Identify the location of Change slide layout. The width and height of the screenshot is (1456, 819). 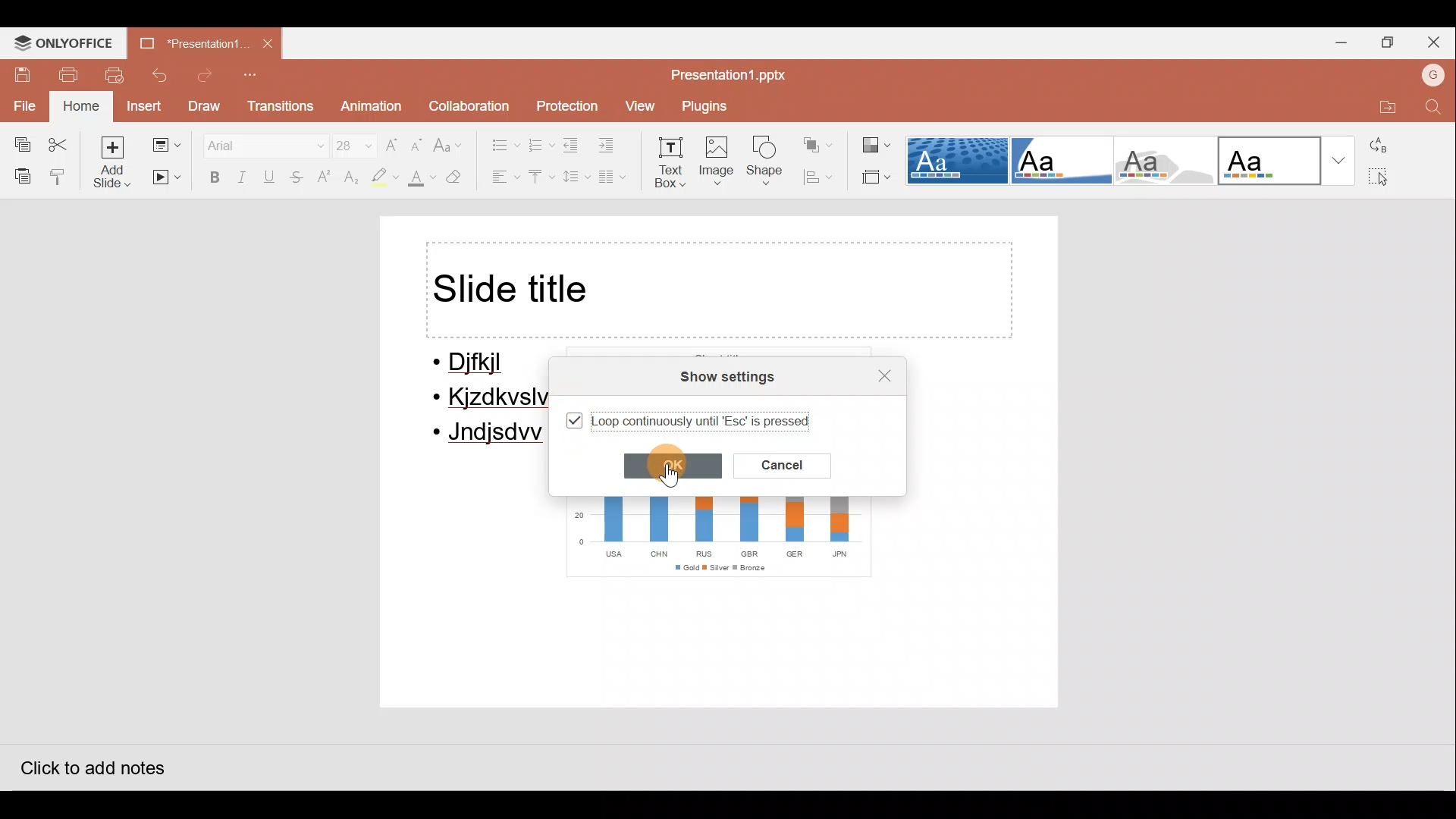
(168, 146).